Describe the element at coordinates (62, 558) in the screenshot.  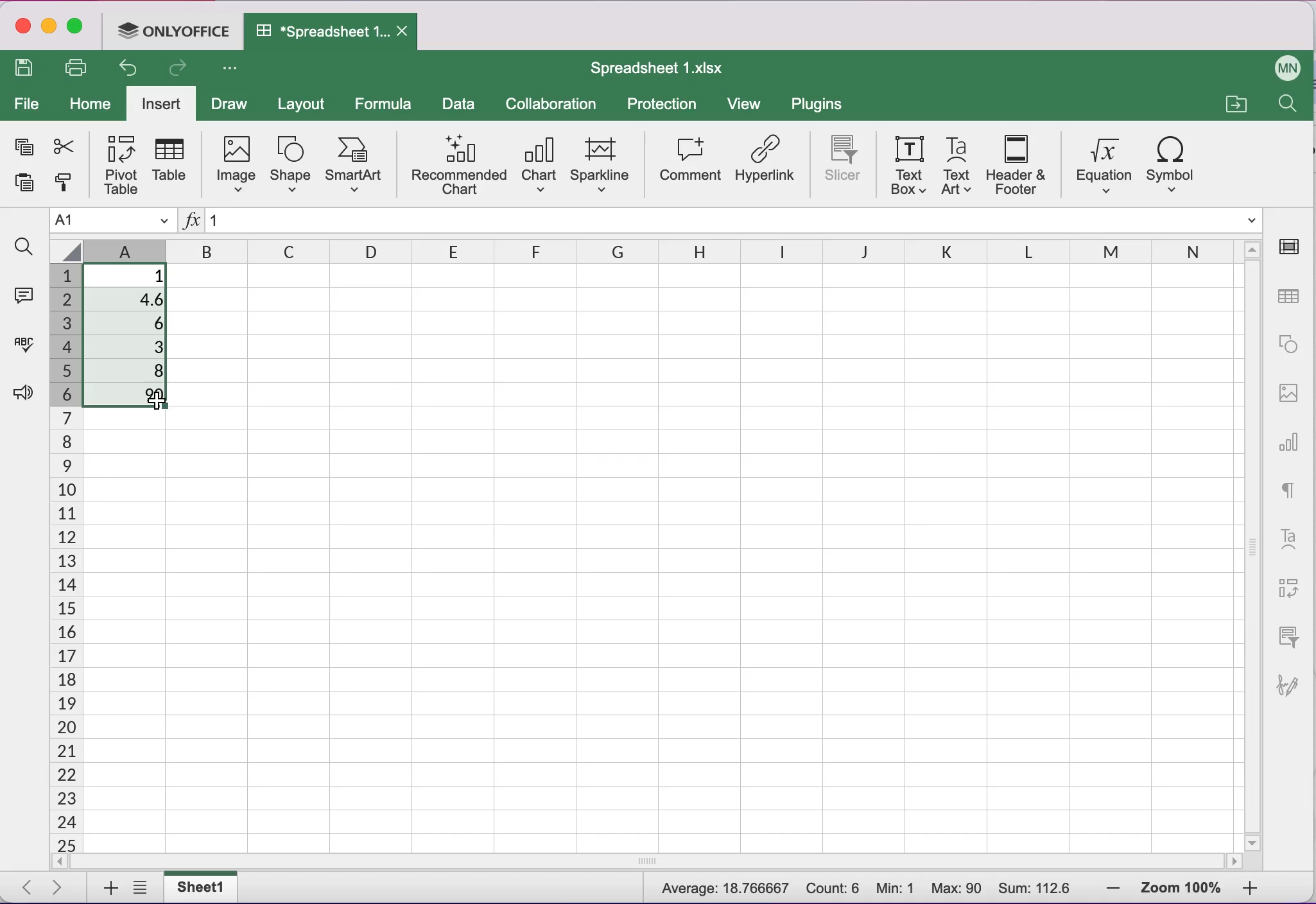
I see `cells numbers` at that location.